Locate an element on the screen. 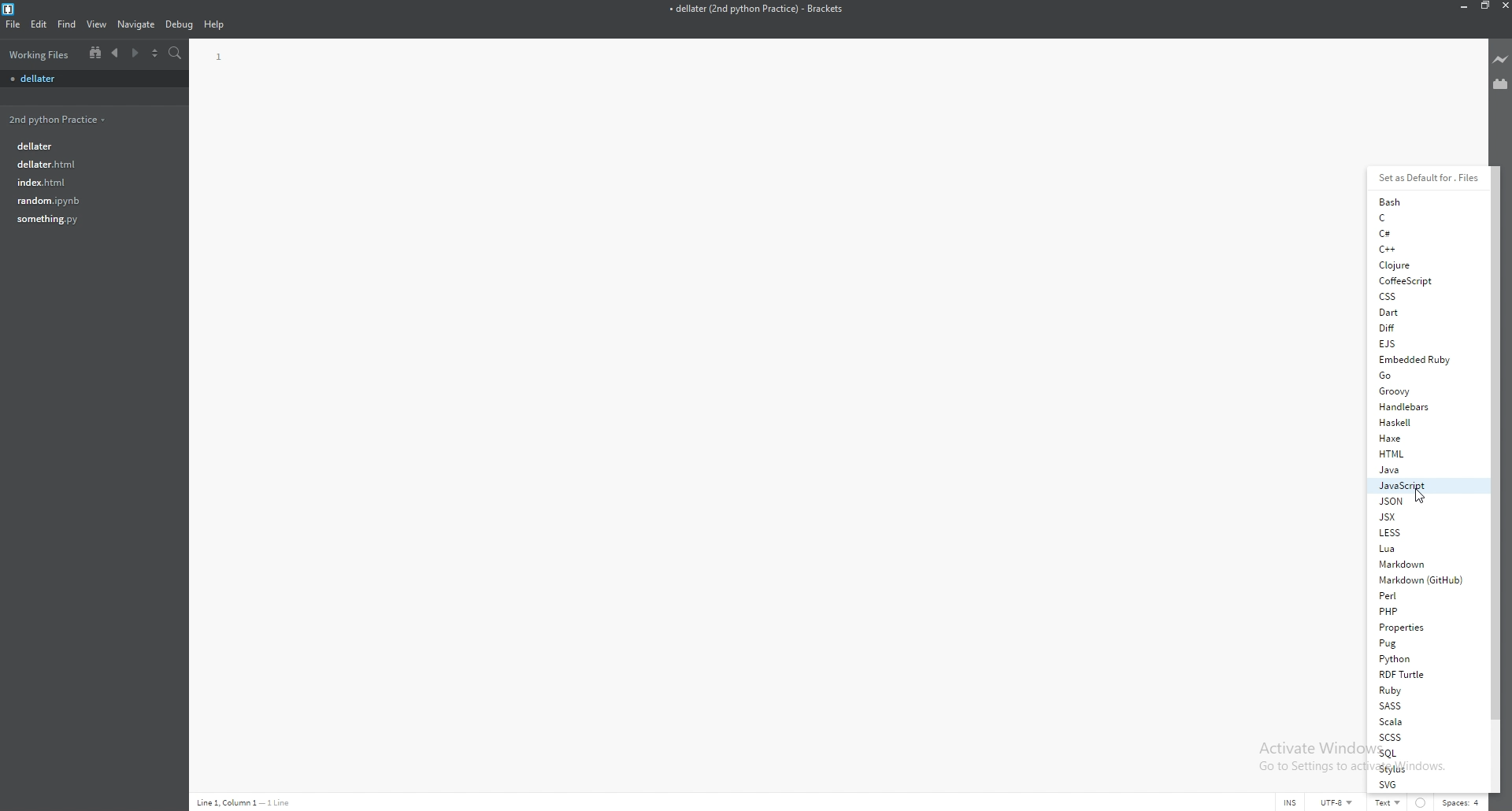 The width and height of the screenshot is (1512, 811). Activate Windows
Go to Settings to activate Windows. is located at coordinates (1306, 756).